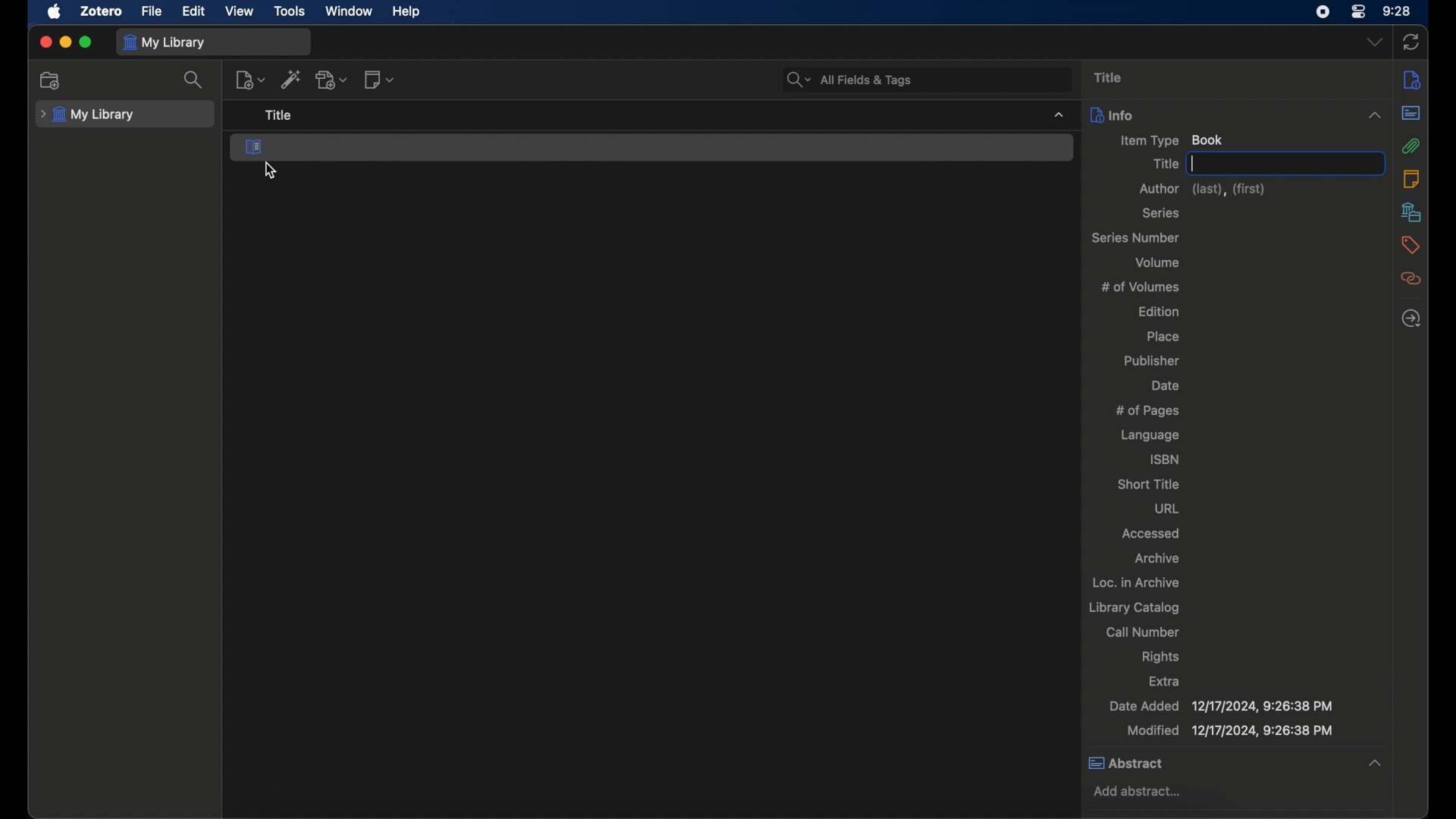  What do you see at coordinates (1397, 11) in the screenshot?
I see `time` at bounding box center [1397, 11].